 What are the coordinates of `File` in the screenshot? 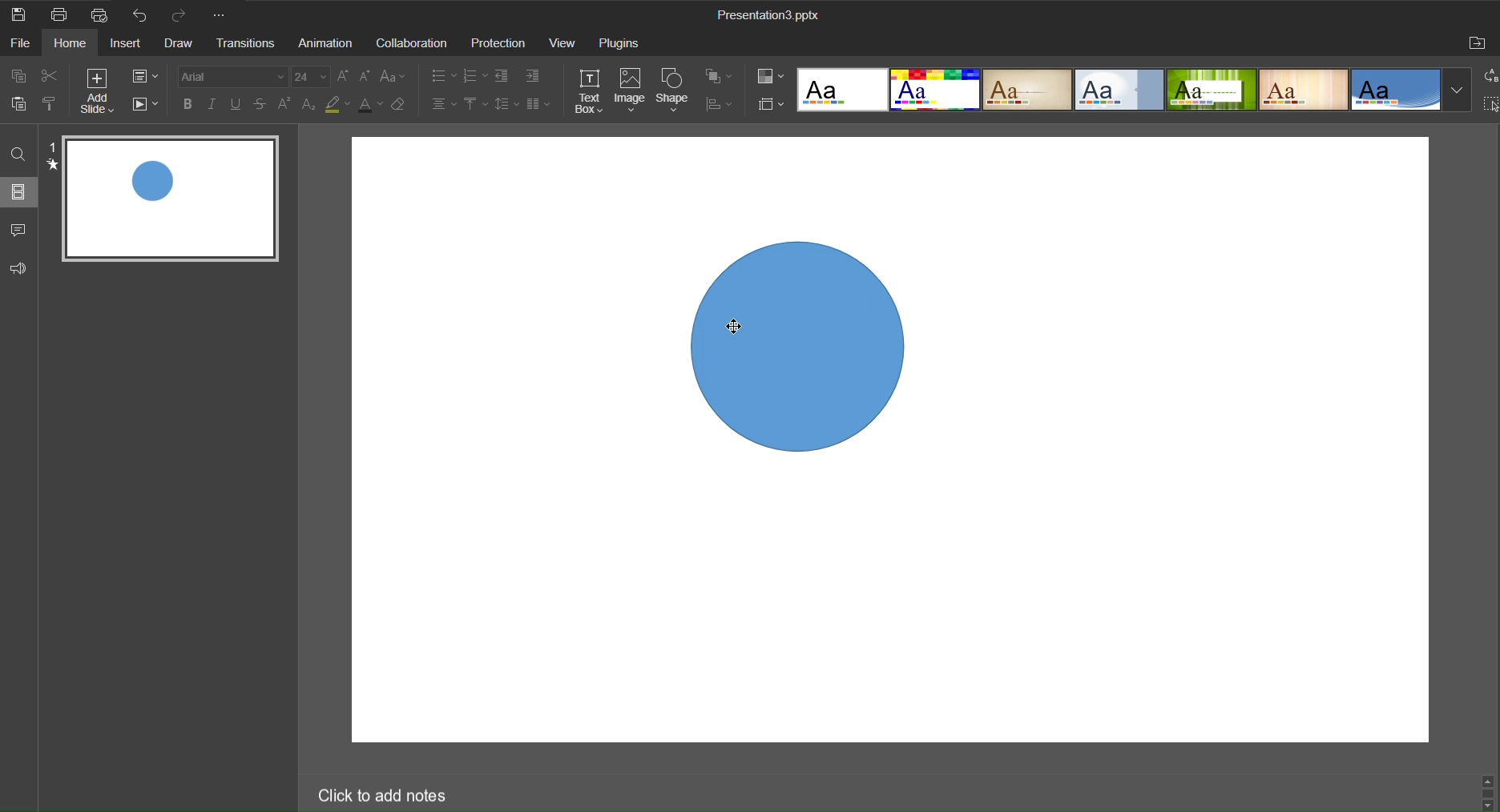 It's located at (22, 45).